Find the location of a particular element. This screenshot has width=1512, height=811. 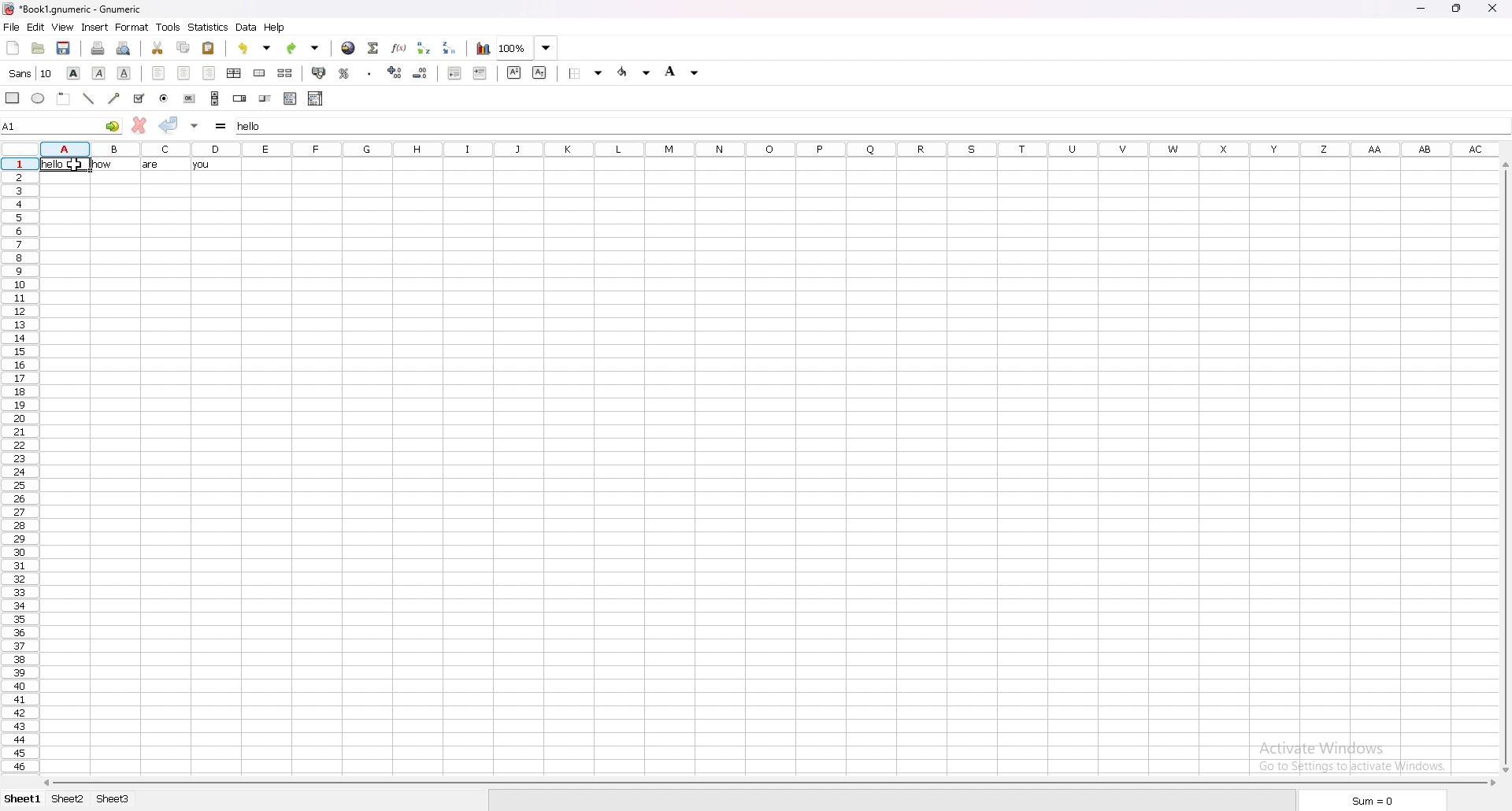

data is located at coordinates (246, 28).